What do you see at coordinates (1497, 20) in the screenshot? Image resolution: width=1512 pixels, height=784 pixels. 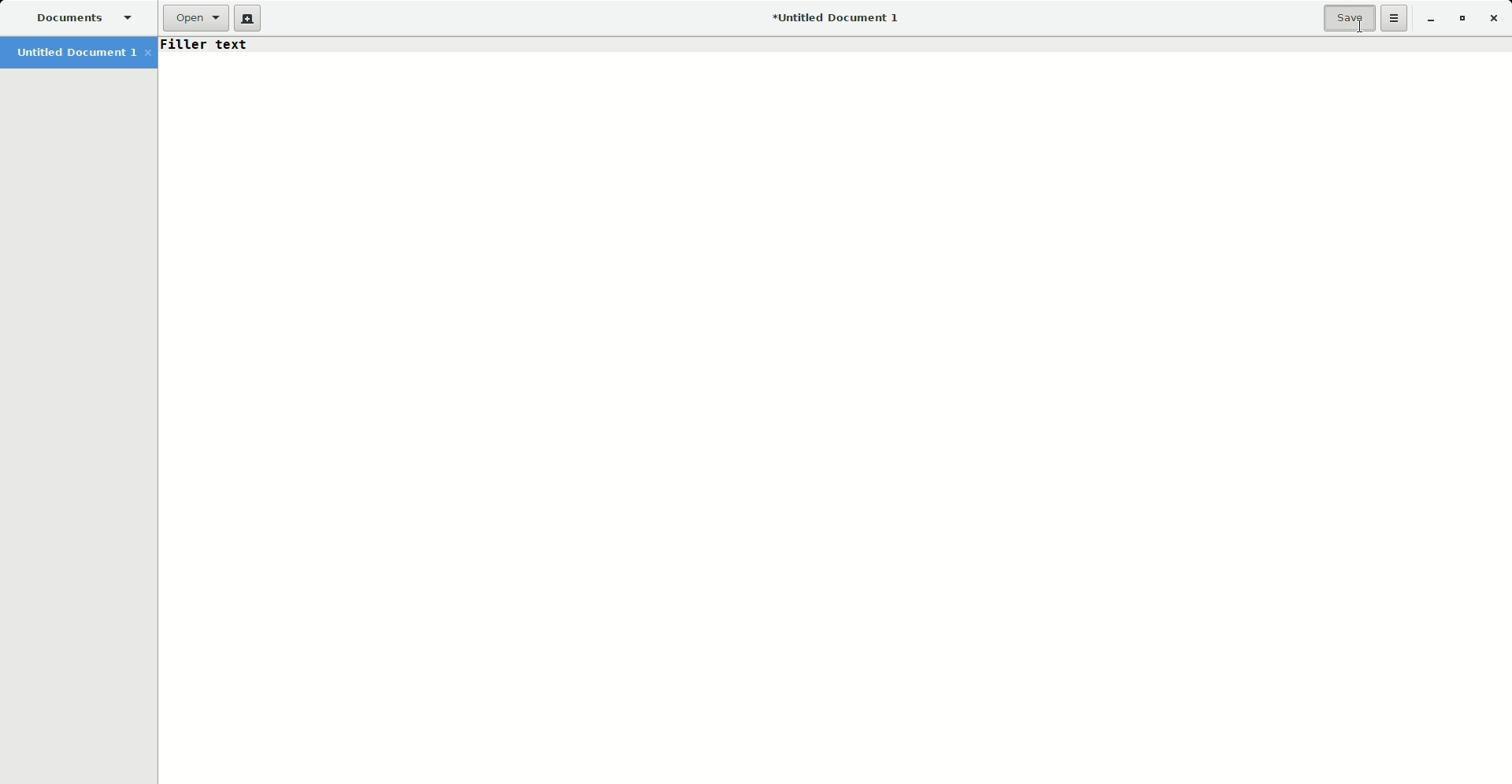 I see `Close` at bounding box center [1497, 20].